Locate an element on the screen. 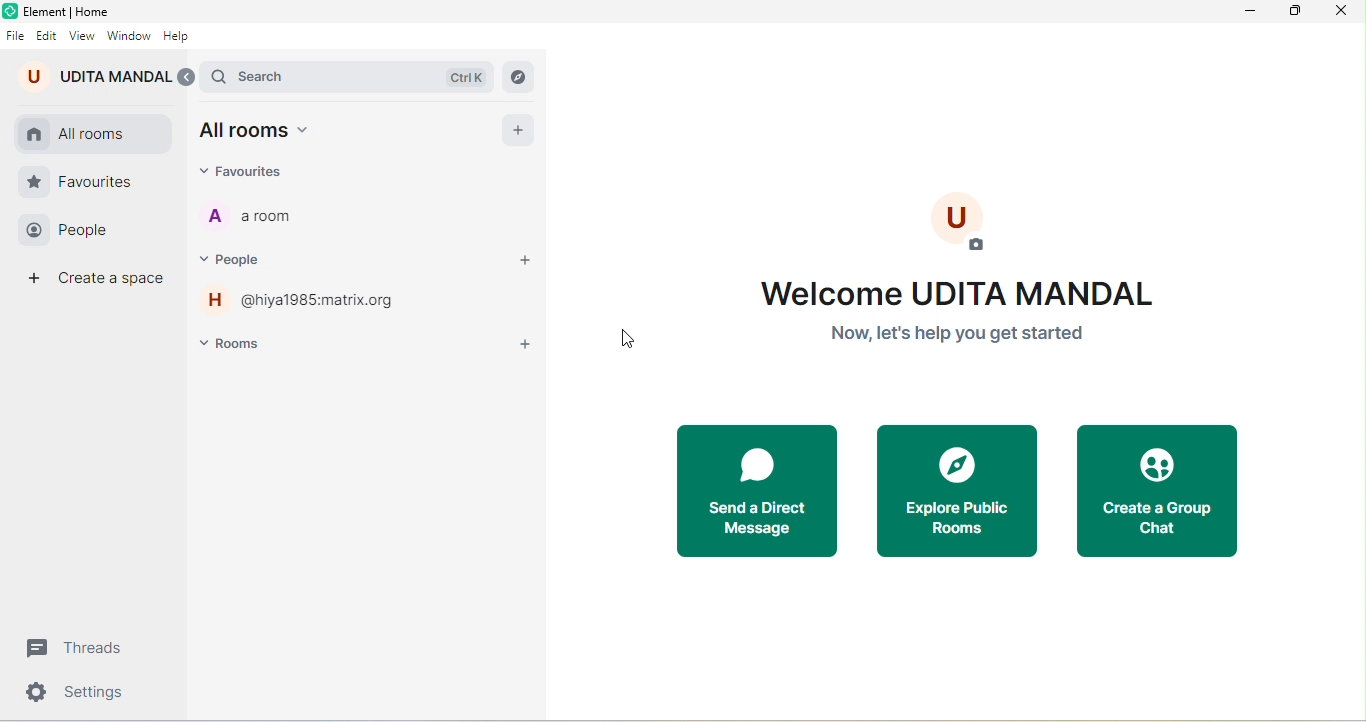 This screenshot has width=1366, height=722. close is located at coordinates (1340, 10).